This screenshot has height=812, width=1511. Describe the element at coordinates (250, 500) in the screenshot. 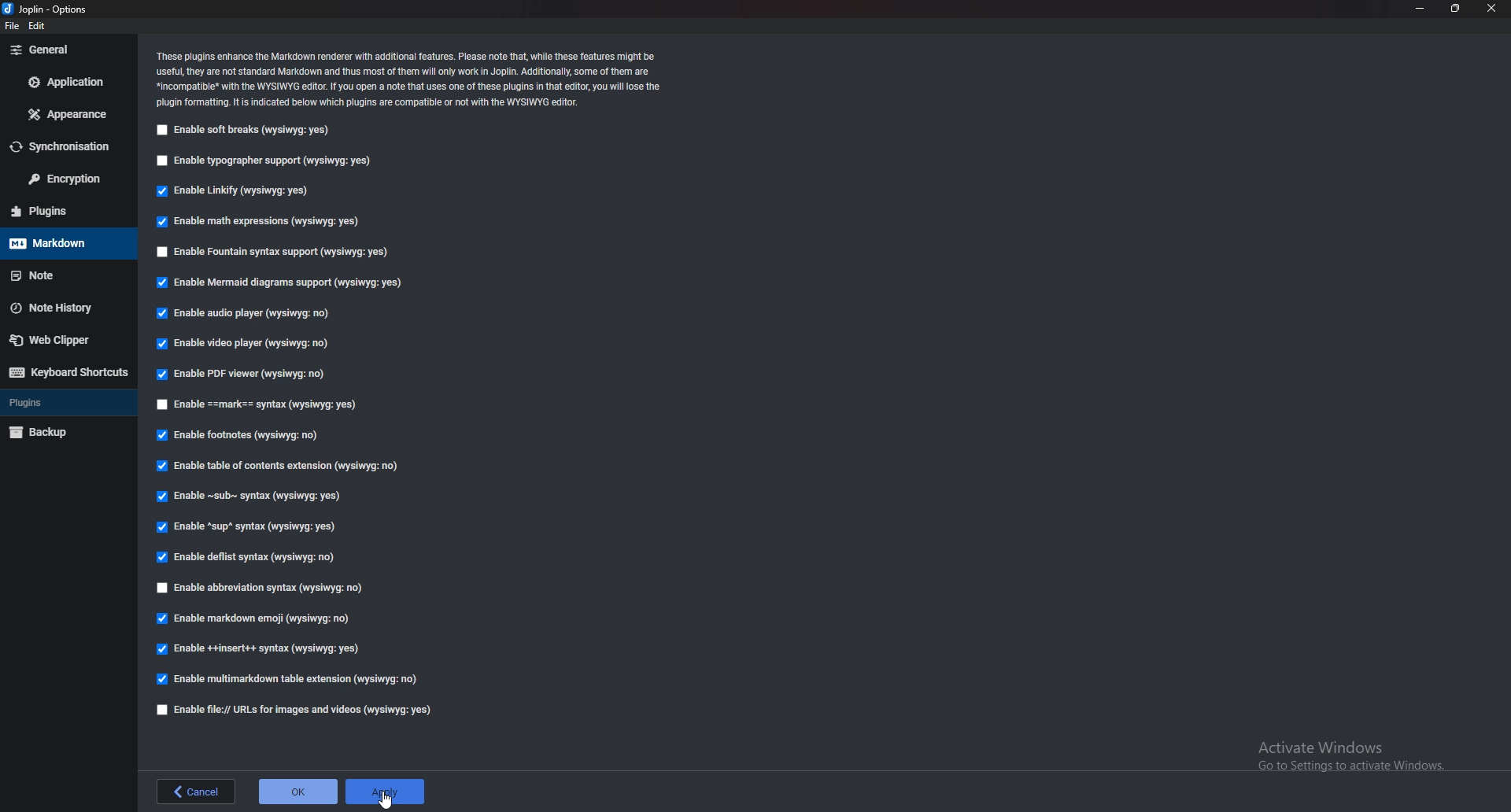

I see `enable sub syntax` at that location.